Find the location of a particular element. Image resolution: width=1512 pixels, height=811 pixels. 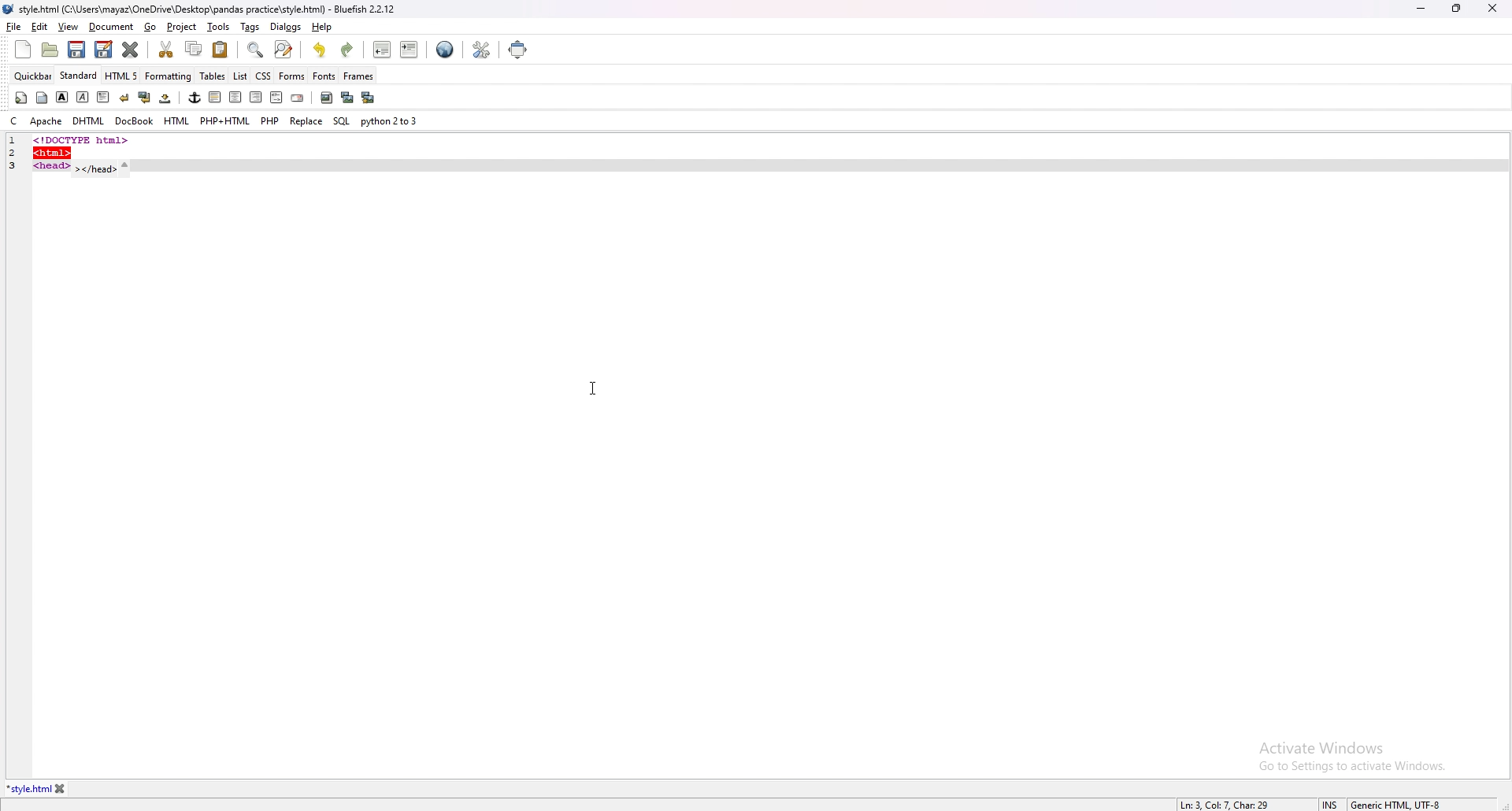

undo is located at coordinates (321, 50).